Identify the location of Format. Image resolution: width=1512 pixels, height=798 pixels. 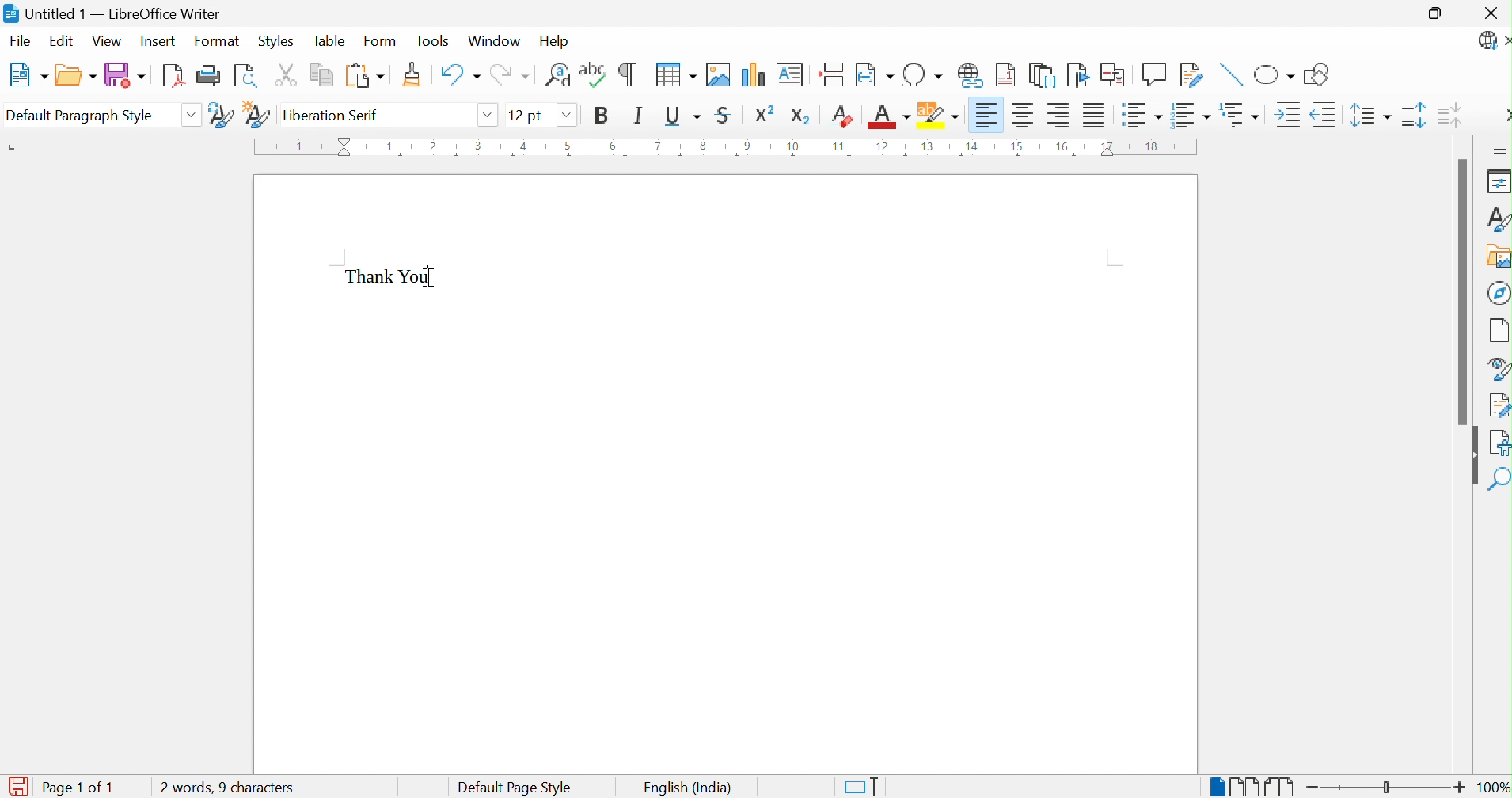
(218, 42).